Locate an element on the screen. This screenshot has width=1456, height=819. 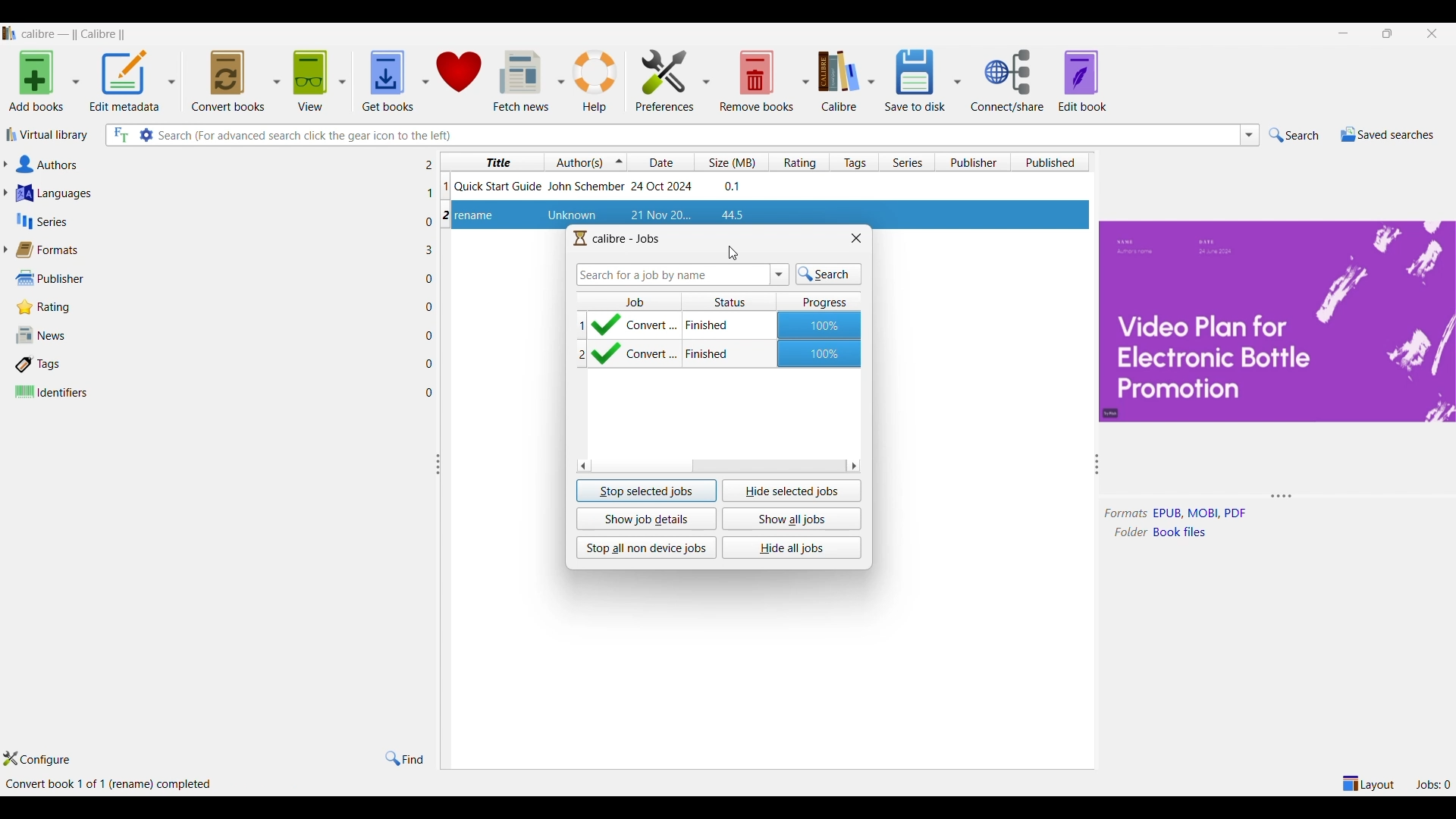
Expand formats is located at coordinates (5, 249).